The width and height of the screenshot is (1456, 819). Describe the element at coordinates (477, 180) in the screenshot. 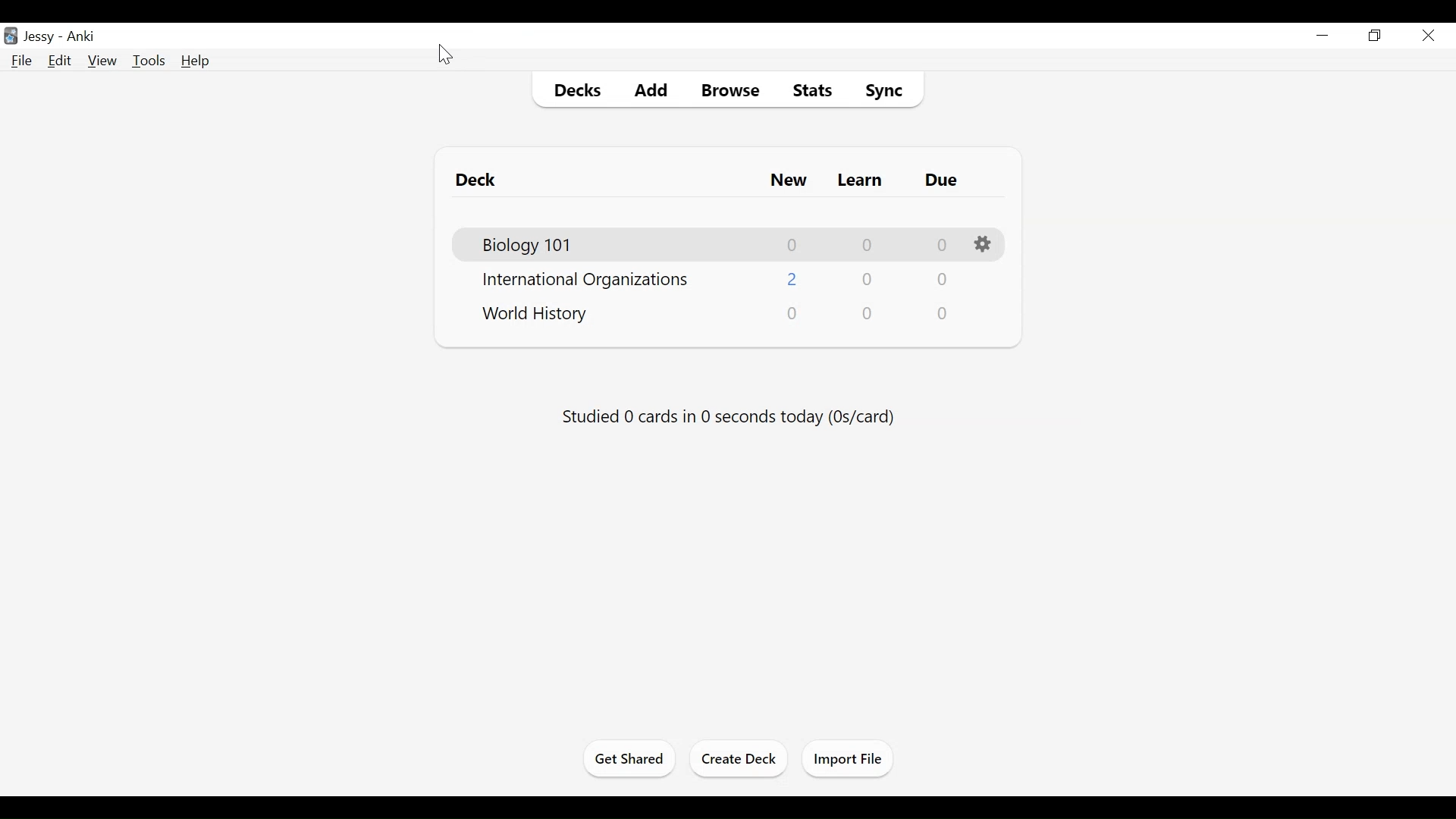

I see `Deck` at that location.